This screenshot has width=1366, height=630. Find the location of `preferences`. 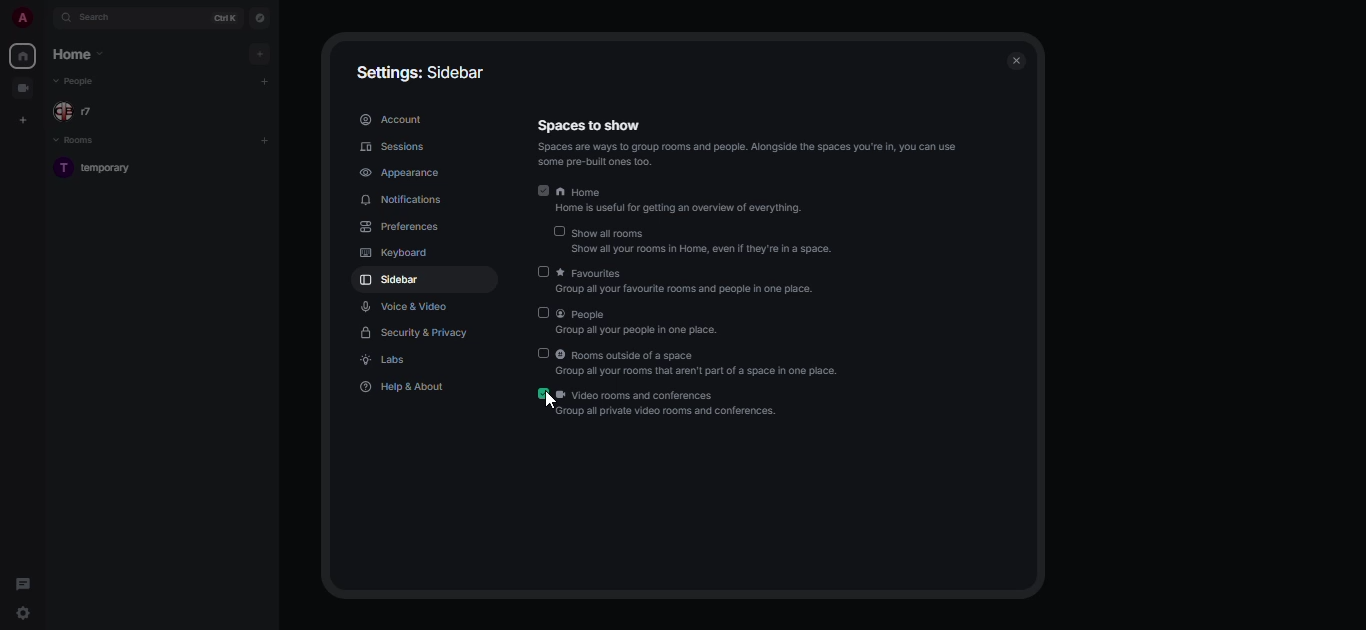

preferences is located at coordinates (398, 227).